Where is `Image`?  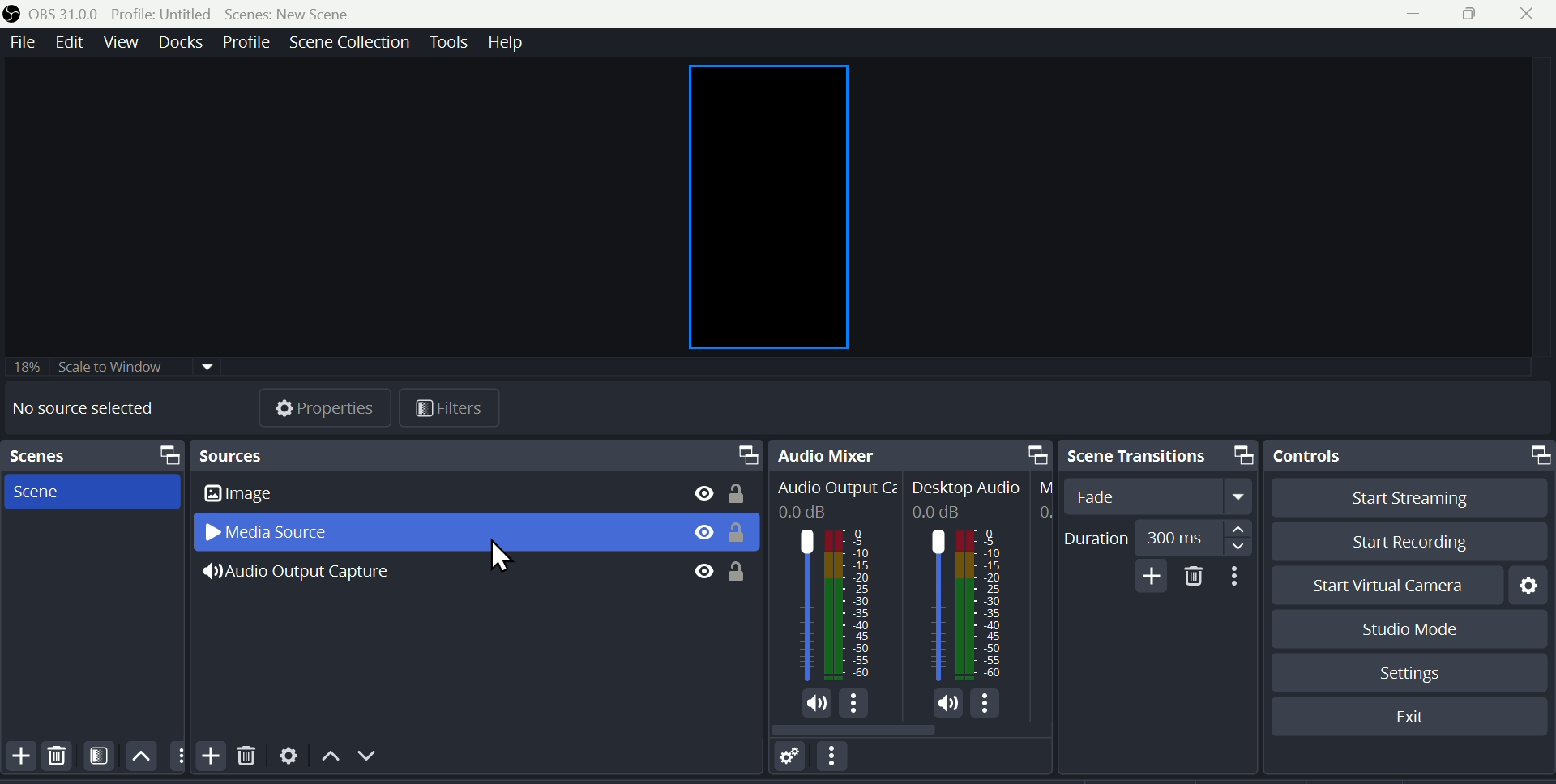
Image is located at coordinates (271, 495).